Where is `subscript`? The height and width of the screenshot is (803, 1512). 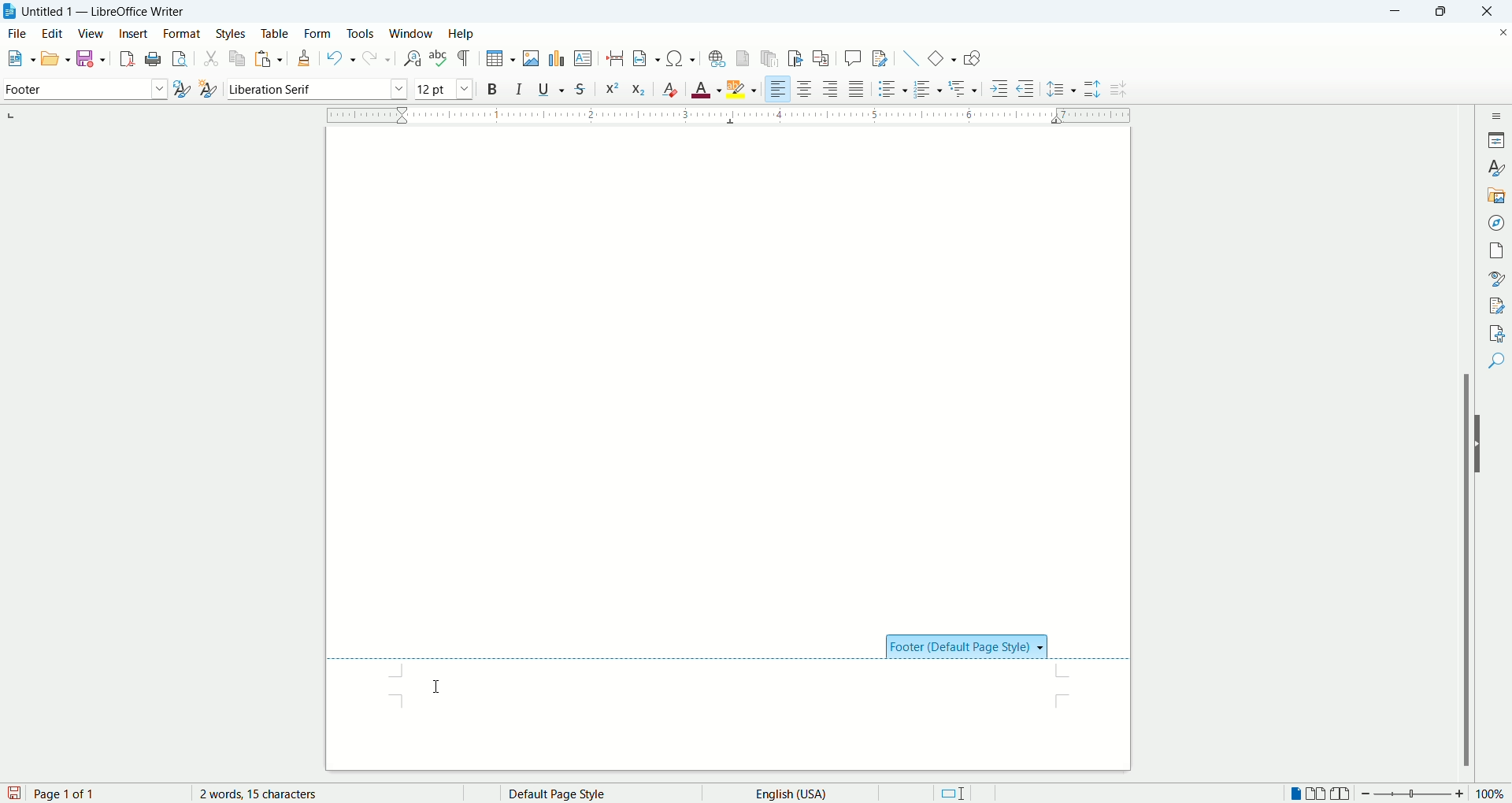
subscript is located at coordinates (639, 91).